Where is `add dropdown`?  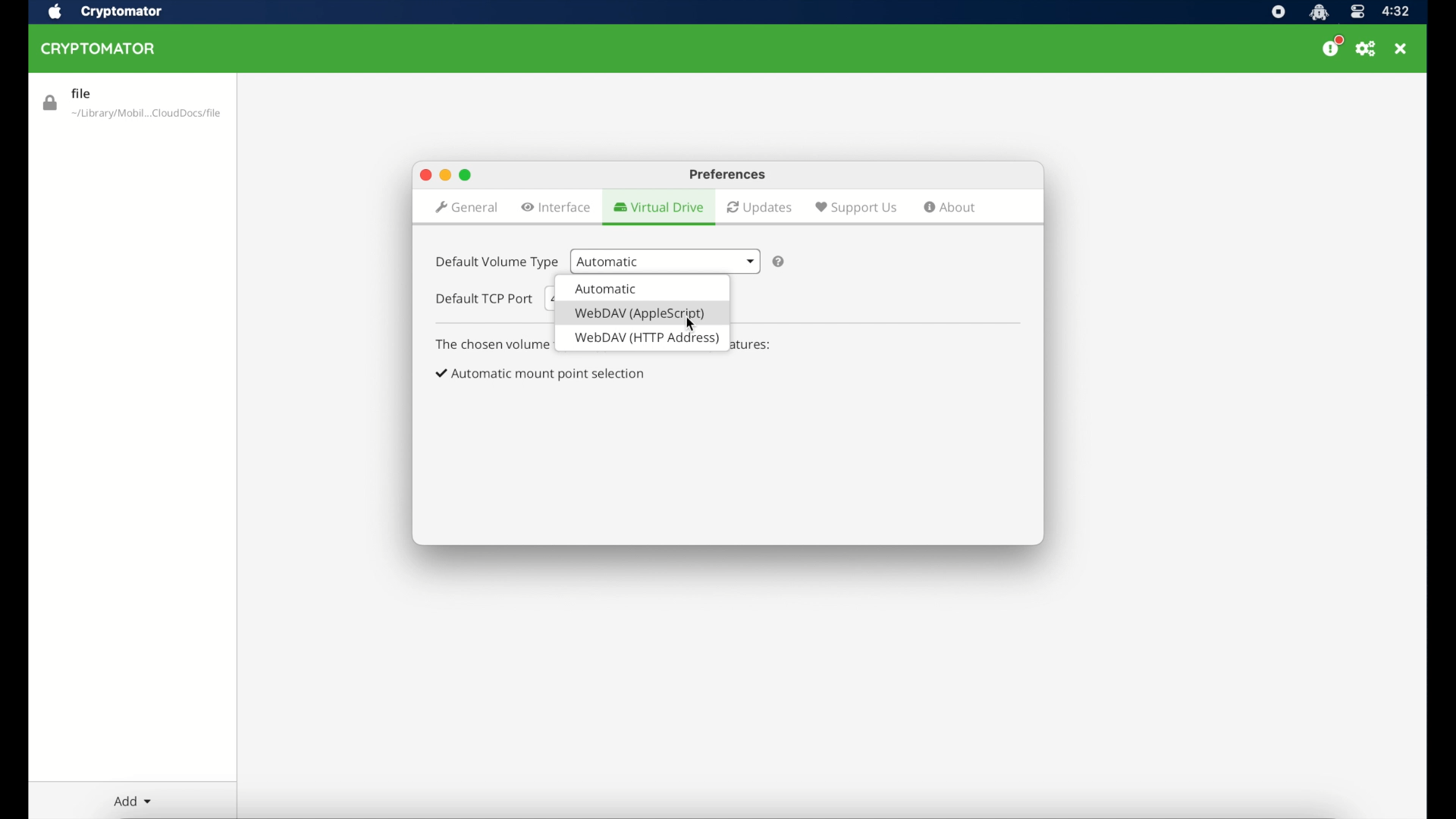
add dropdown is located at coordinates (132, 801).